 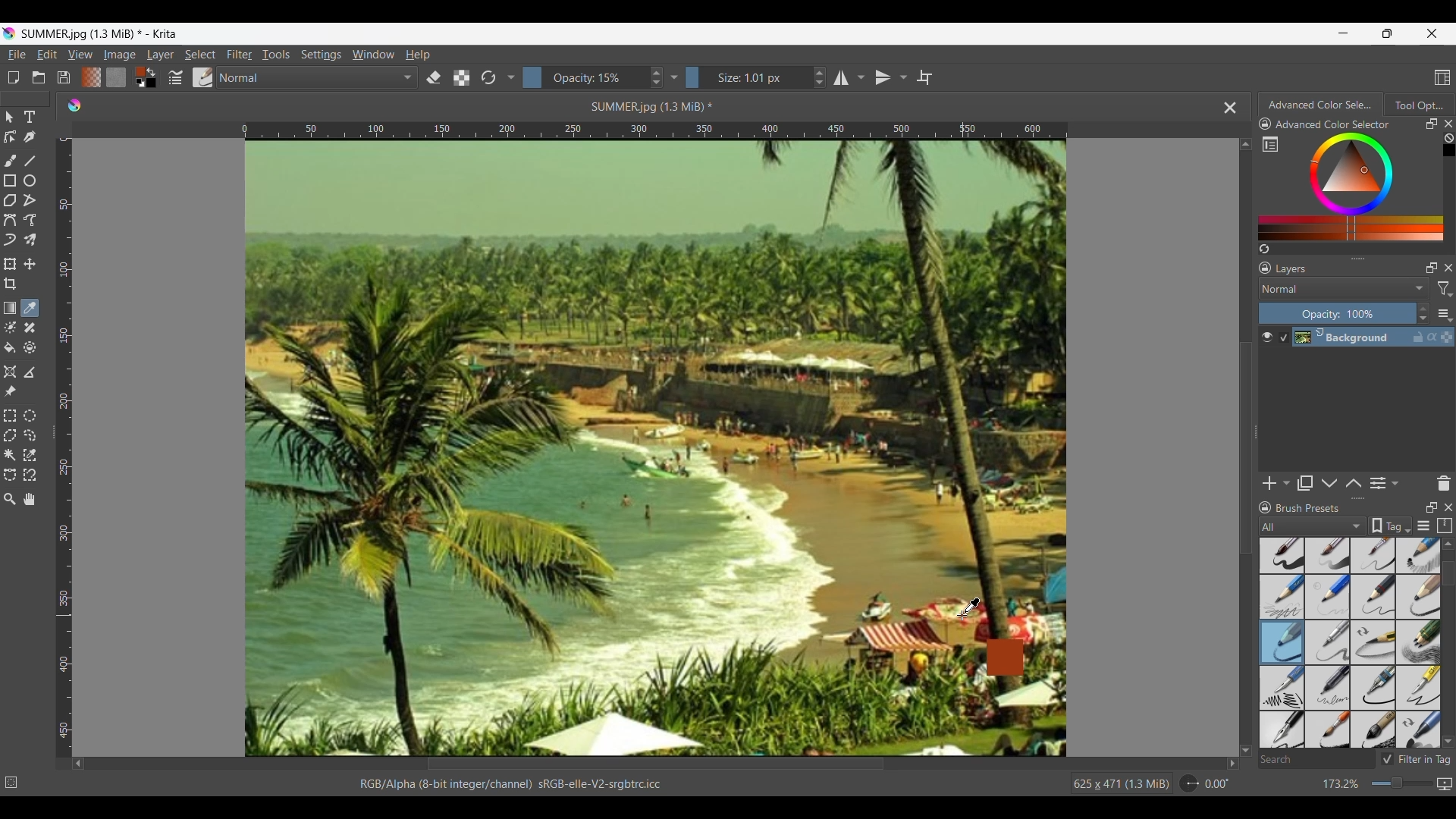 I want to click on Assistant tool, so click(x=11, y=372).